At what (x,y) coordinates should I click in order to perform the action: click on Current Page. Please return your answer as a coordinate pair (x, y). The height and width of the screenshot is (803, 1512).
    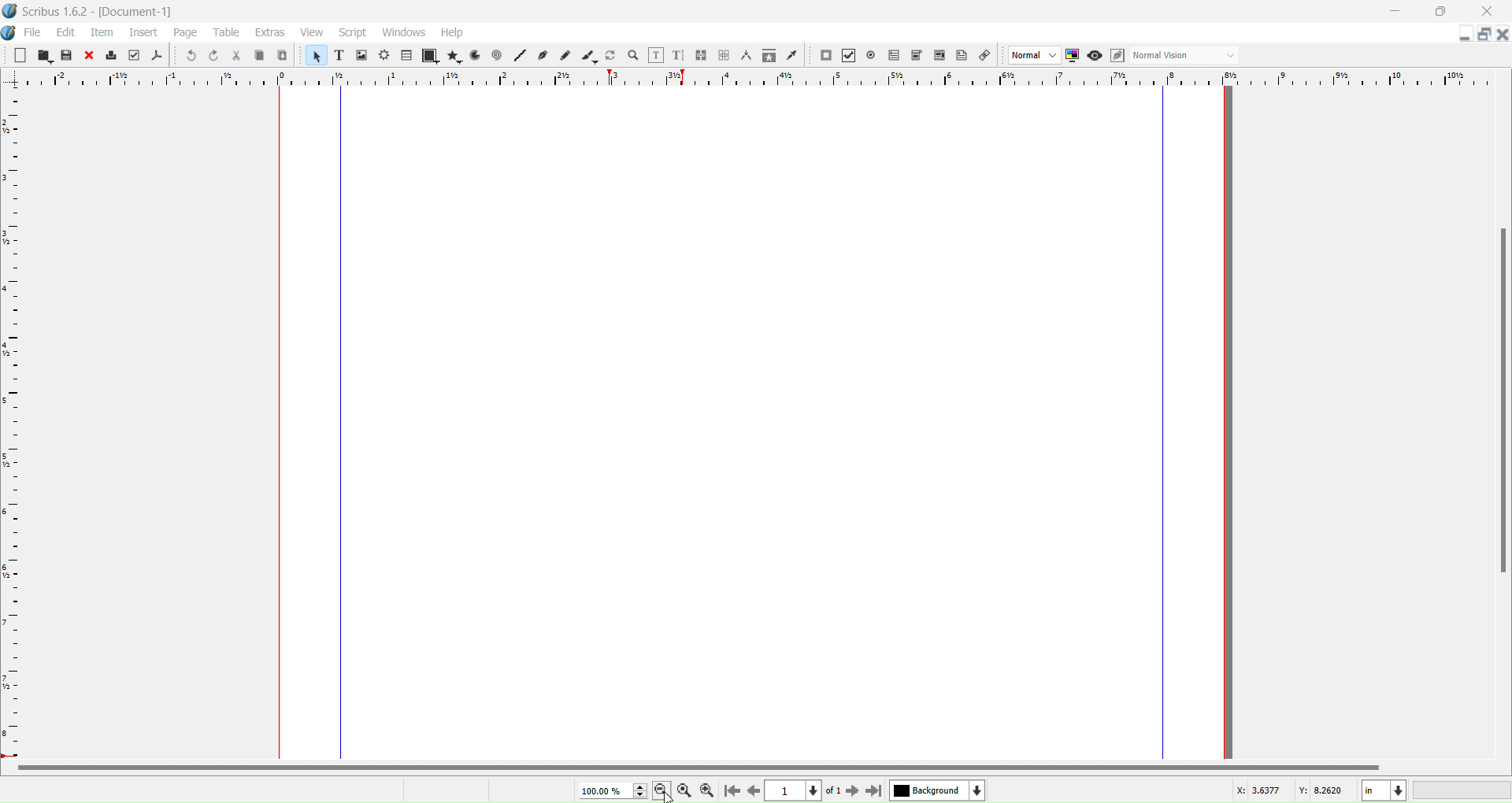
    Looking at the image, I should click on (755, 422).